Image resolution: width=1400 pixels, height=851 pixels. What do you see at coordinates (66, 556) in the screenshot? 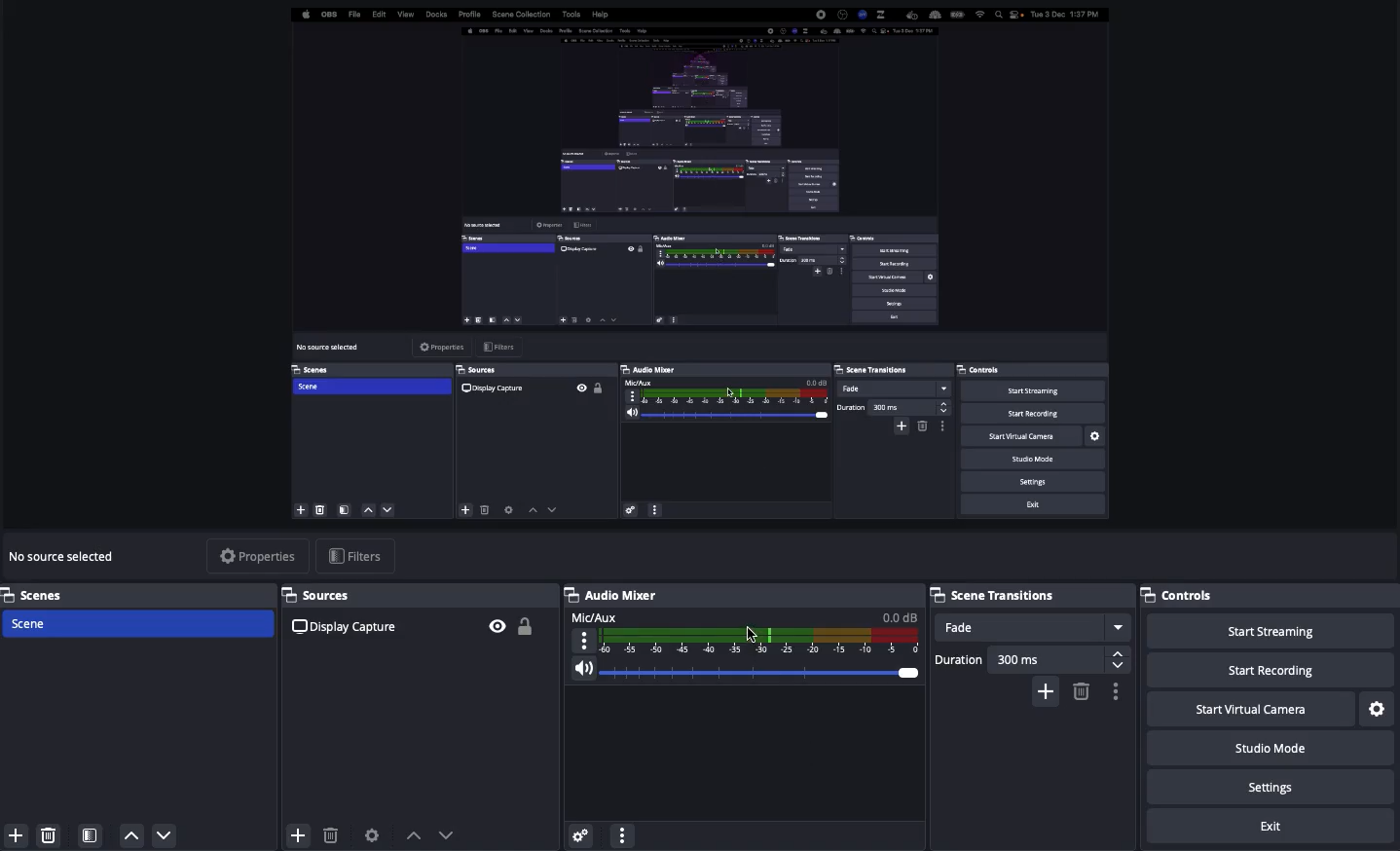
I see `No source selected` at bounding box center [66, 556].